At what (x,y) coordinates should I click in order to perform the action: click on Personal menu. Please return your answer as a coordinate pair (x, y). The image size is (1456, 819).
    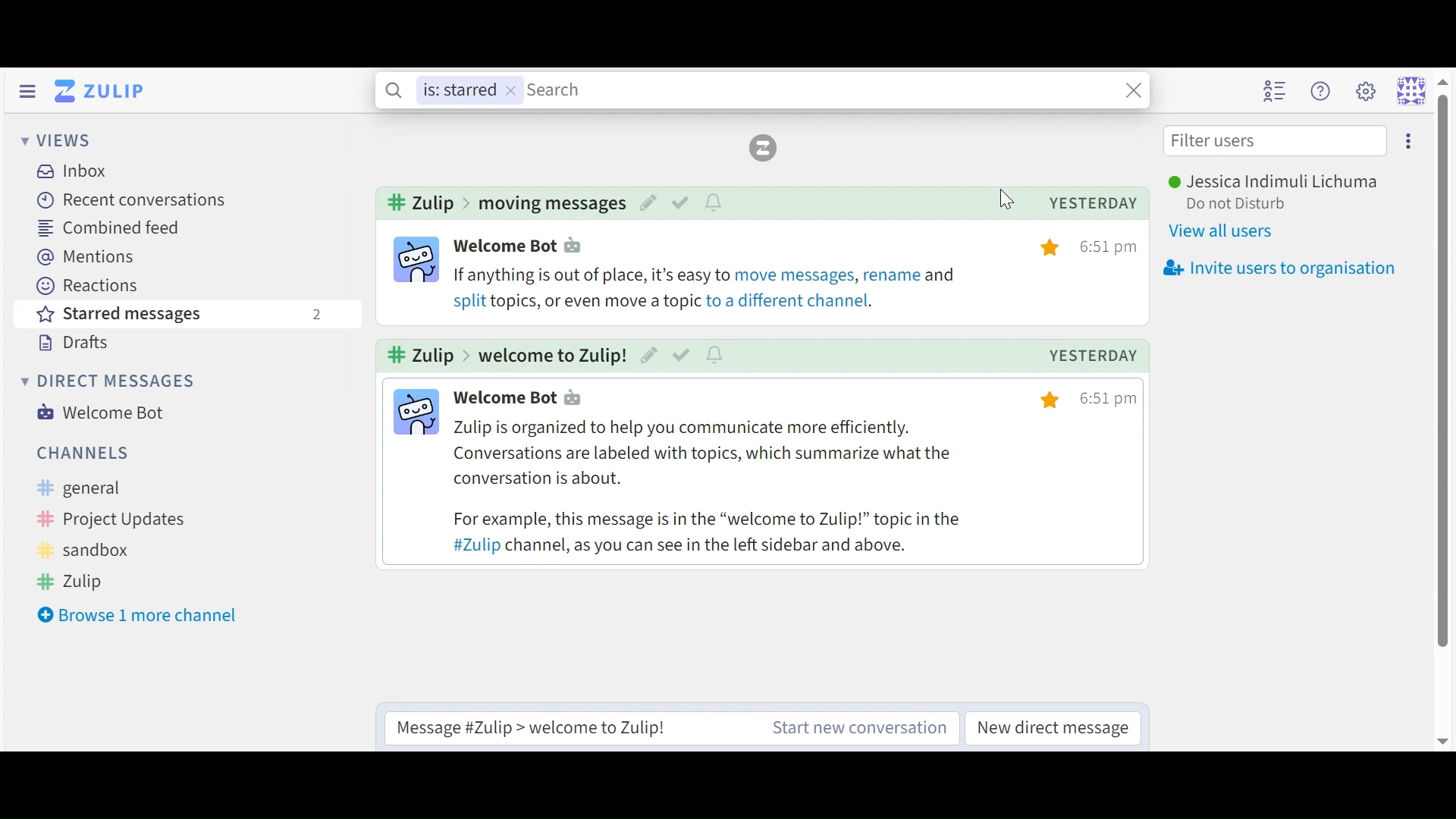
    Looking at the image, I should click on (1411, 89).